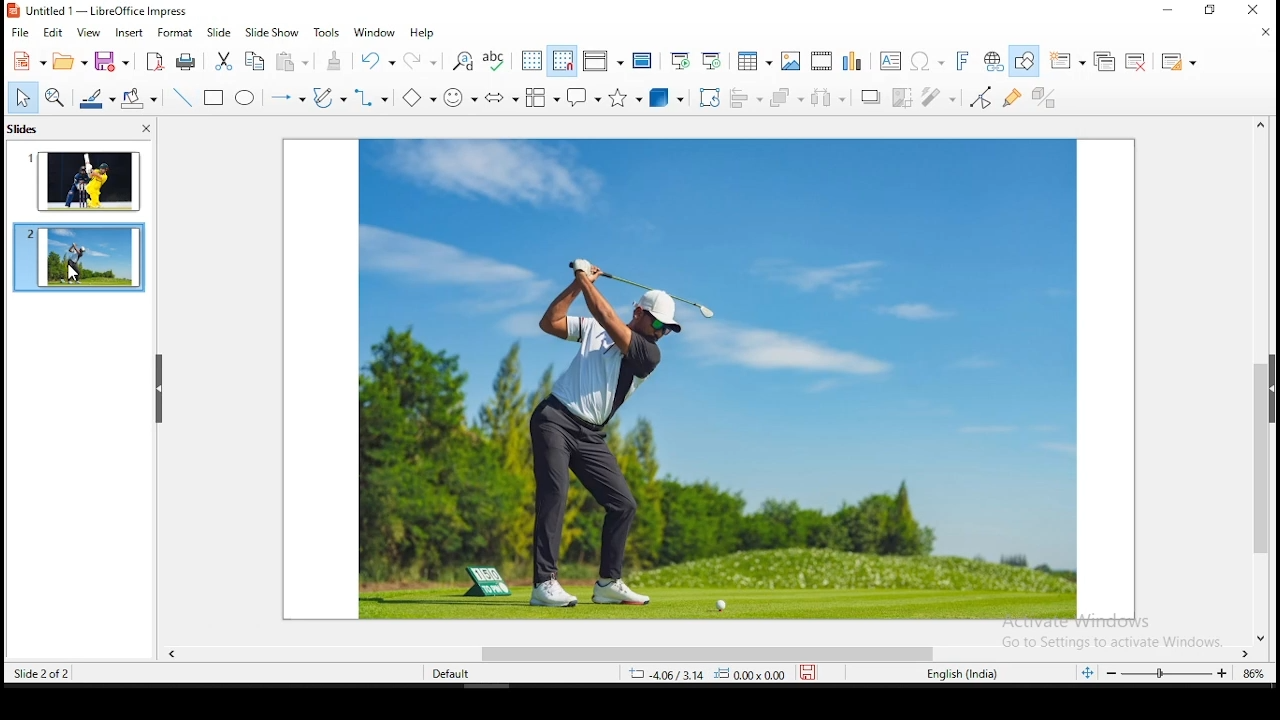 The width and height of the screenshot is (1280, 720). Describe the element at coordinates (711, 62) in the screenshot. I see `start from current slide` at that location.